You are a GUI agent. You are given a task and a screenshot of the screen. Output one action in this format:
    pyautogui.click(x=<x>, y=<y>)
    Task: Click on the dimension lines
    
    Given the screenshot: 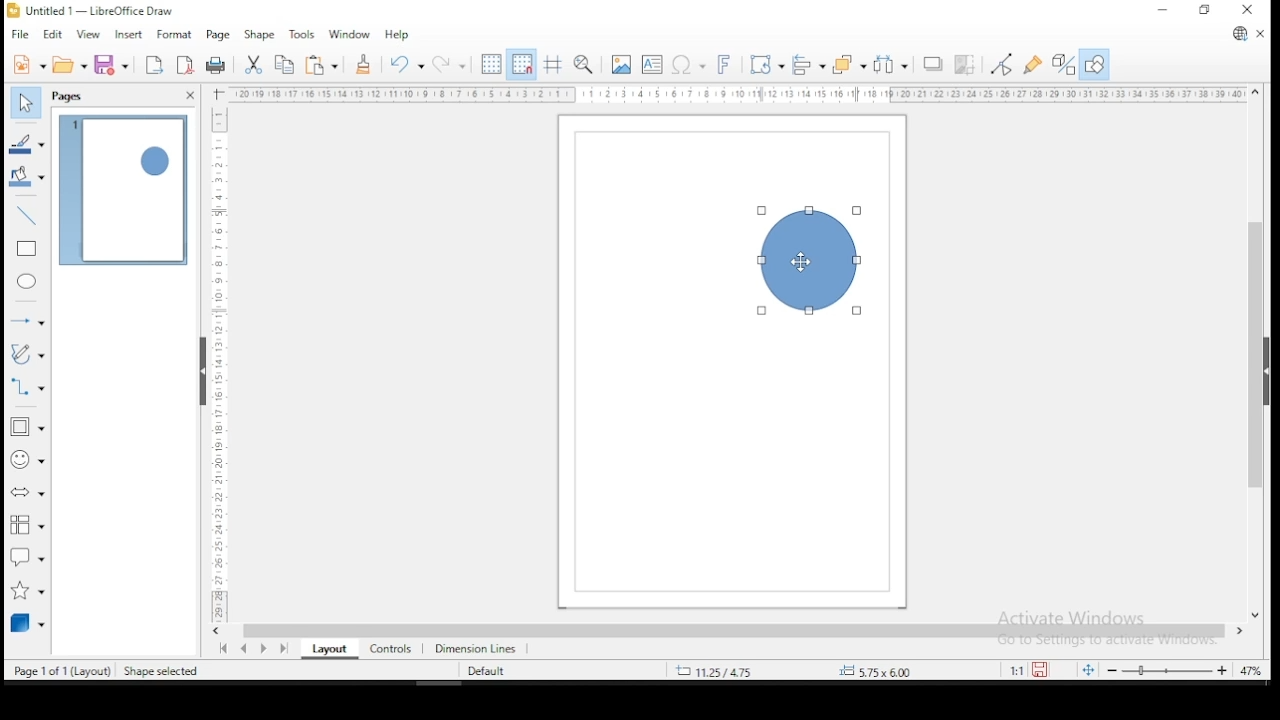 What is the action you would take?
    pyautogui.click(x=476, y=647)
    